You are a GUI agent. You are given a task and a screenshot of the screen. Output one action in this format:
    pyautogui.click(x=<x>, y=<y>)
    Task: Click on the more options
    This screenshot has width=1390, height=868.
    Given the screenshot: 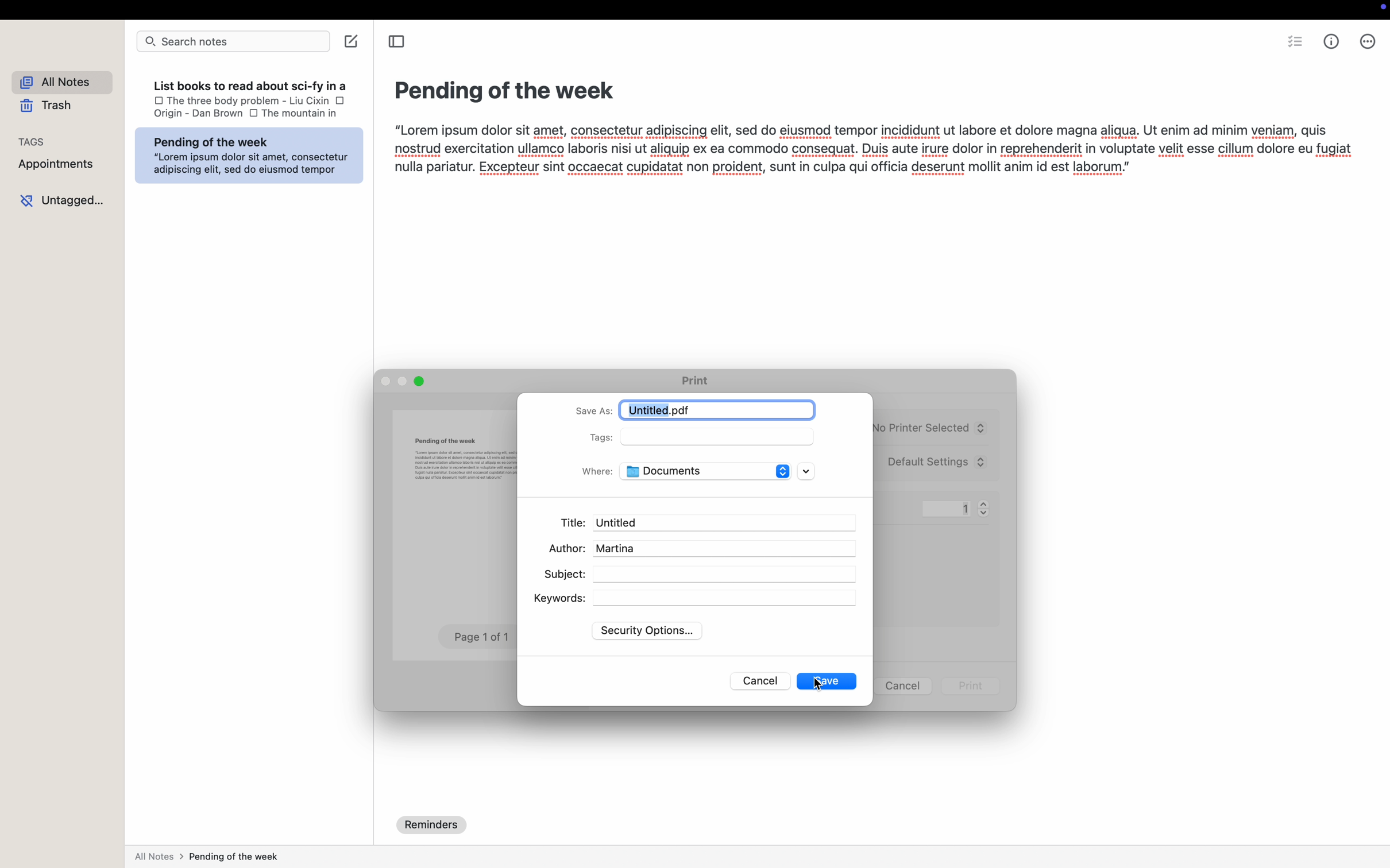 What is the action you would take?
    pyautogui.click(x=1368, y=44)
    